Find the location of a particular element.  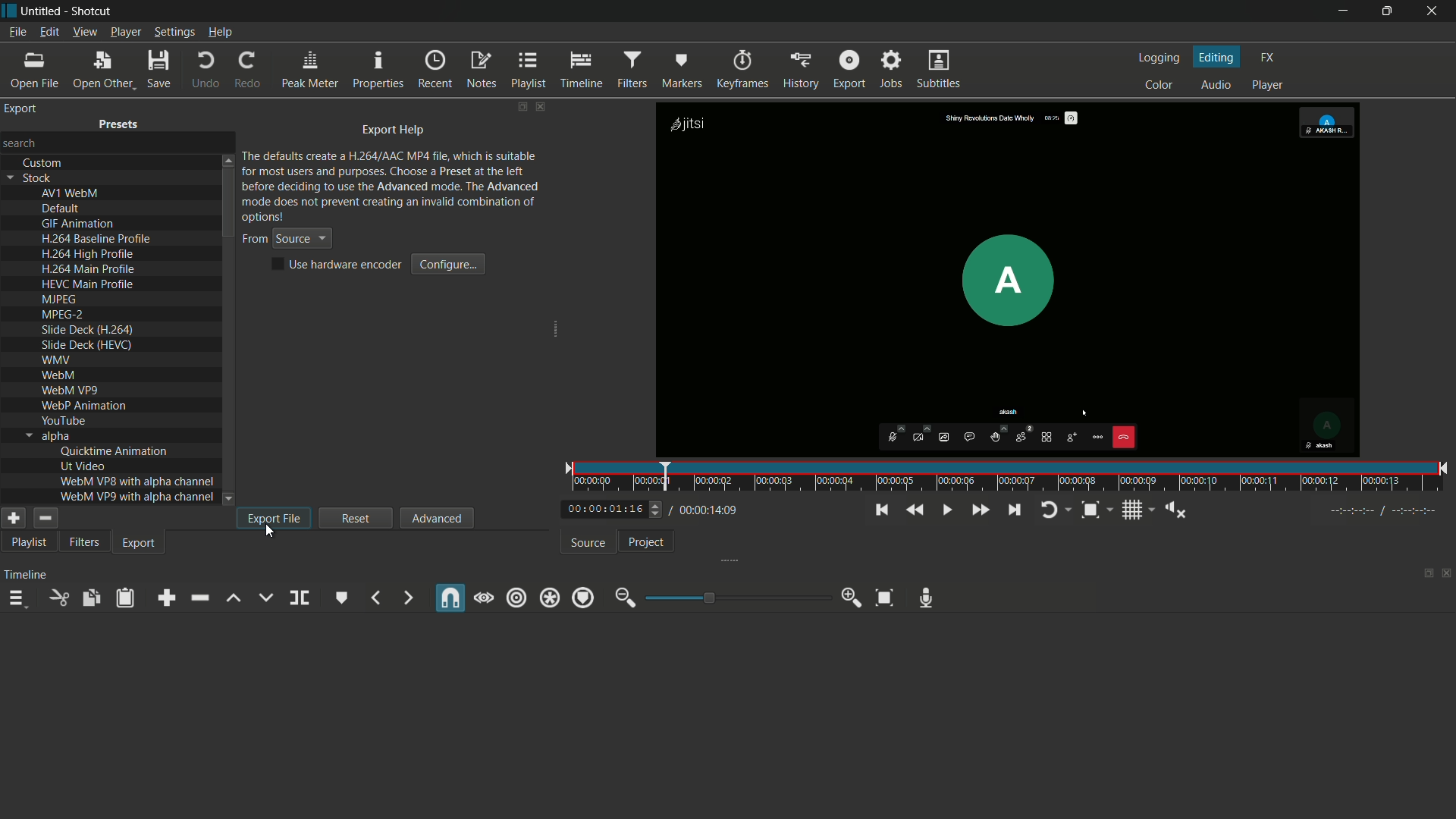

record audio is located at coordinates (925, 599).